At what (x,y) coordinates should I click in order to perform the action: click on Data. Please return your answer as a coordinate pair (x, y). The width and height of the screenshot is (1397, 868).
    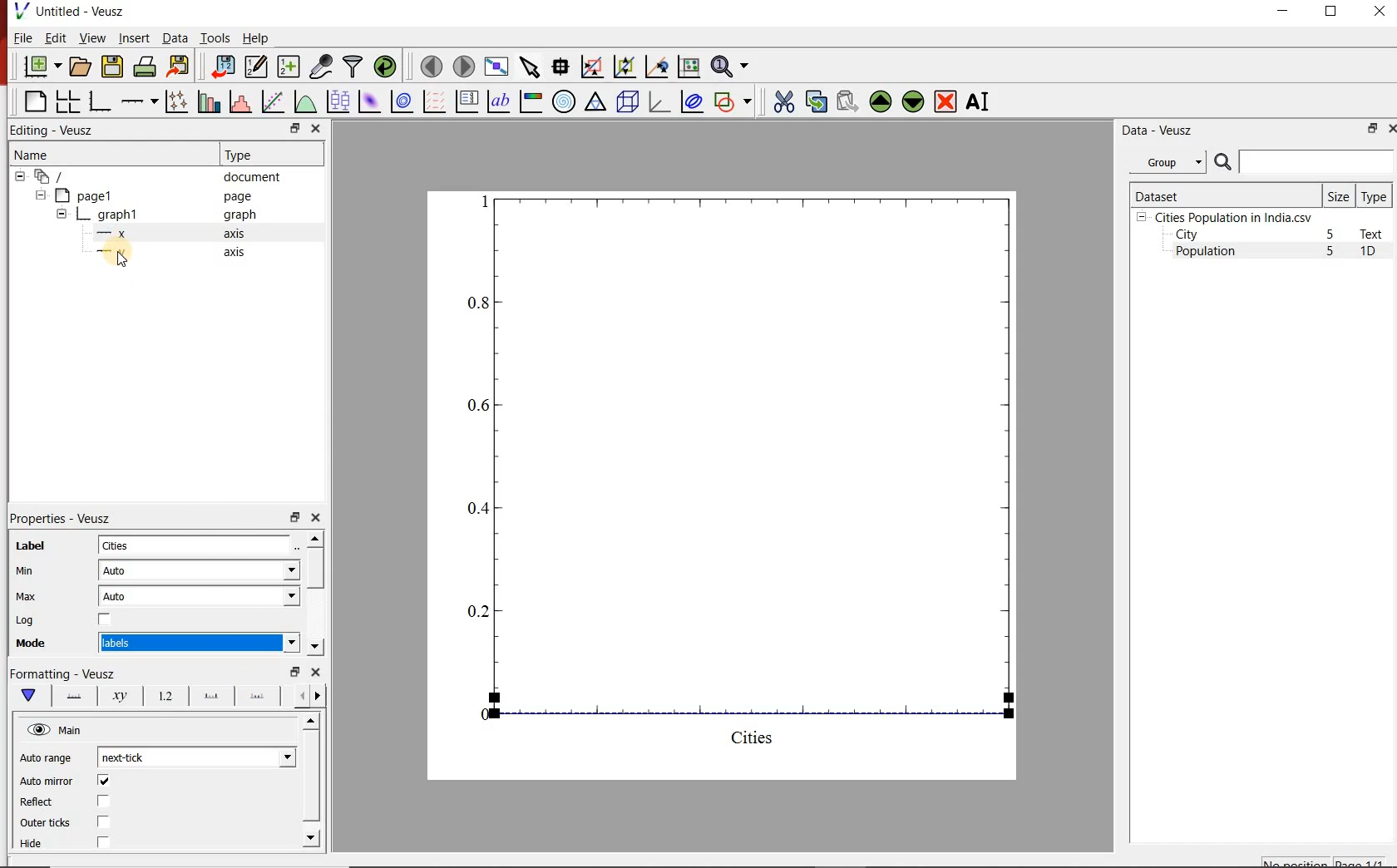
    Looking at the image, I should click on (175, 39).